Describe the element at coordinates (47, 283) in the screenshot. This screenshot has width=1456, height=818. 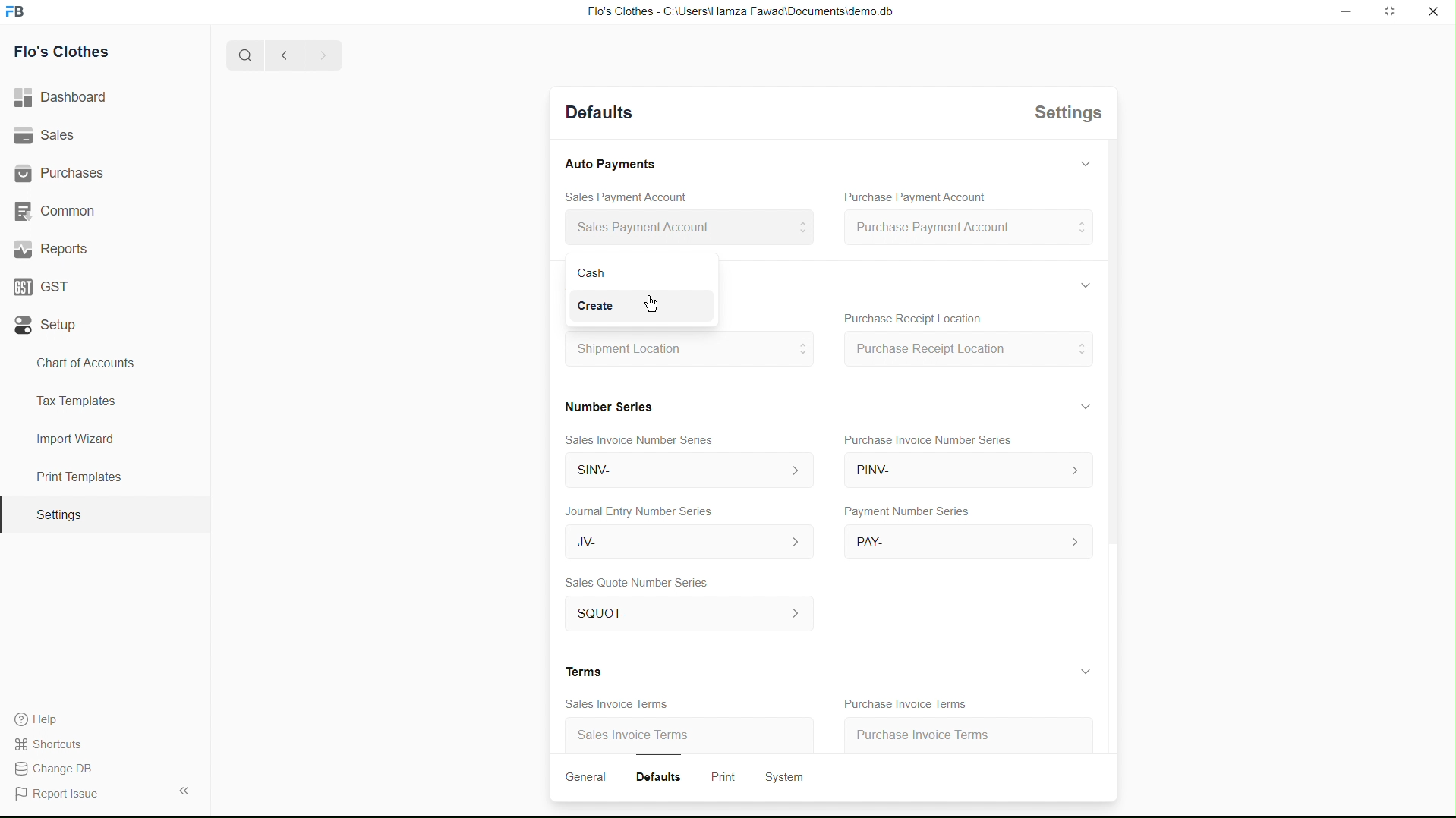
I see `GST` at that location.